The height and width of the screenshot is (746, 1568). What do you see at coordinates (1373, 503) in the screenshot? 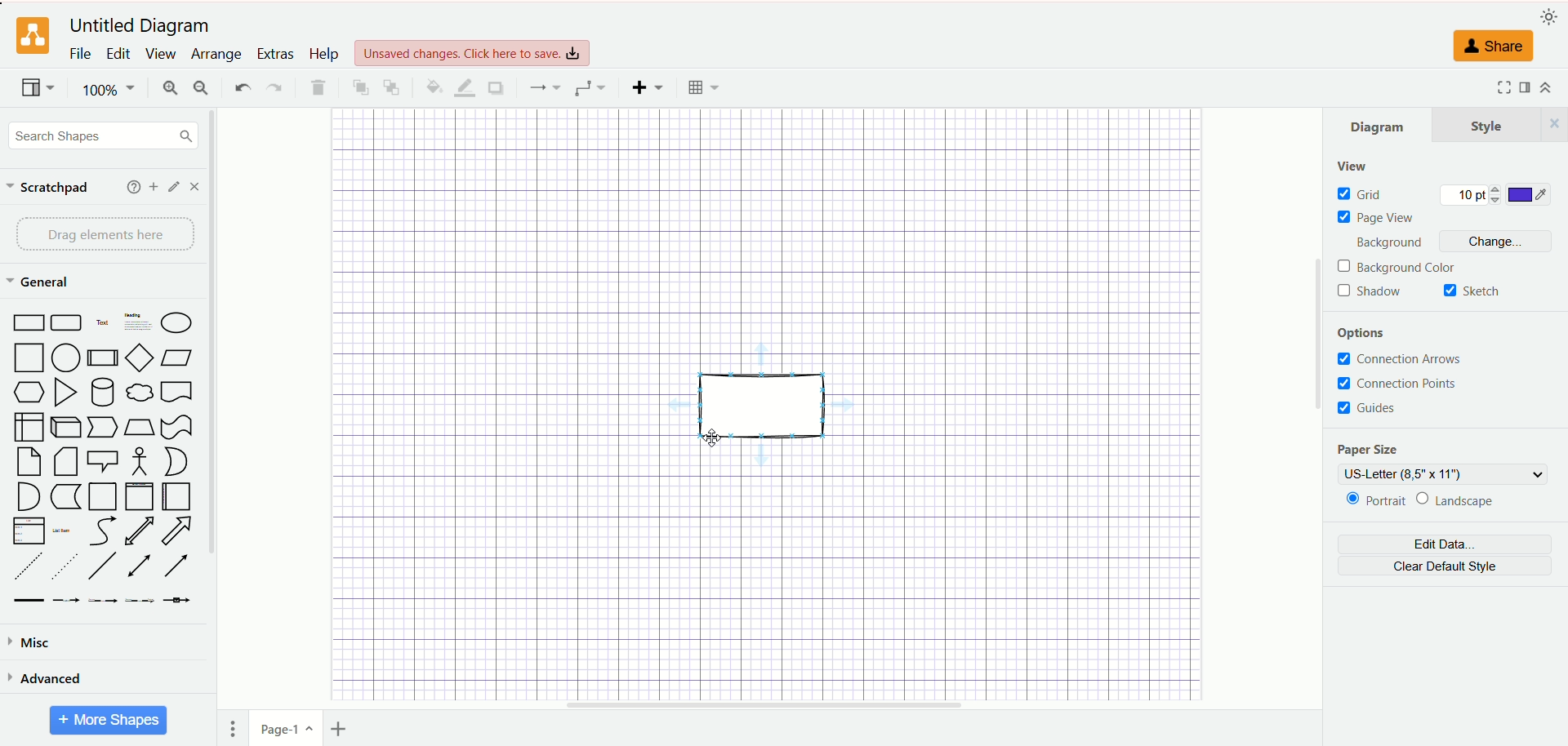
I see `portrait` at bounding box center [1373, 503].